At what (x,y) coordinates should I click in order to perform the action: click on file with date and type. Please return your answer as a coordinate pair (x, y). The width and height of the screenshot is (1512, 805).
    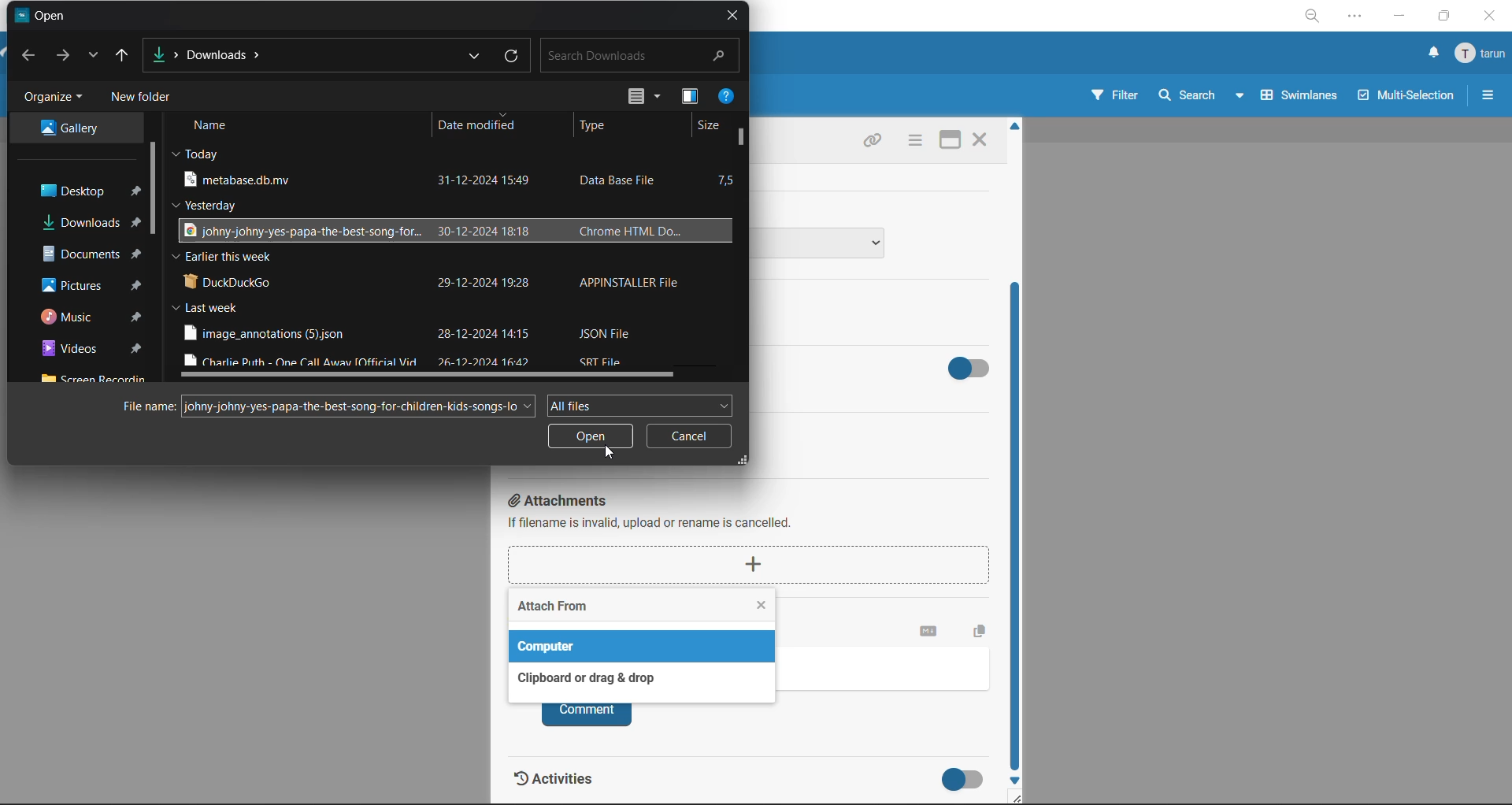
    Looking at the image, I should click on (432, 231).